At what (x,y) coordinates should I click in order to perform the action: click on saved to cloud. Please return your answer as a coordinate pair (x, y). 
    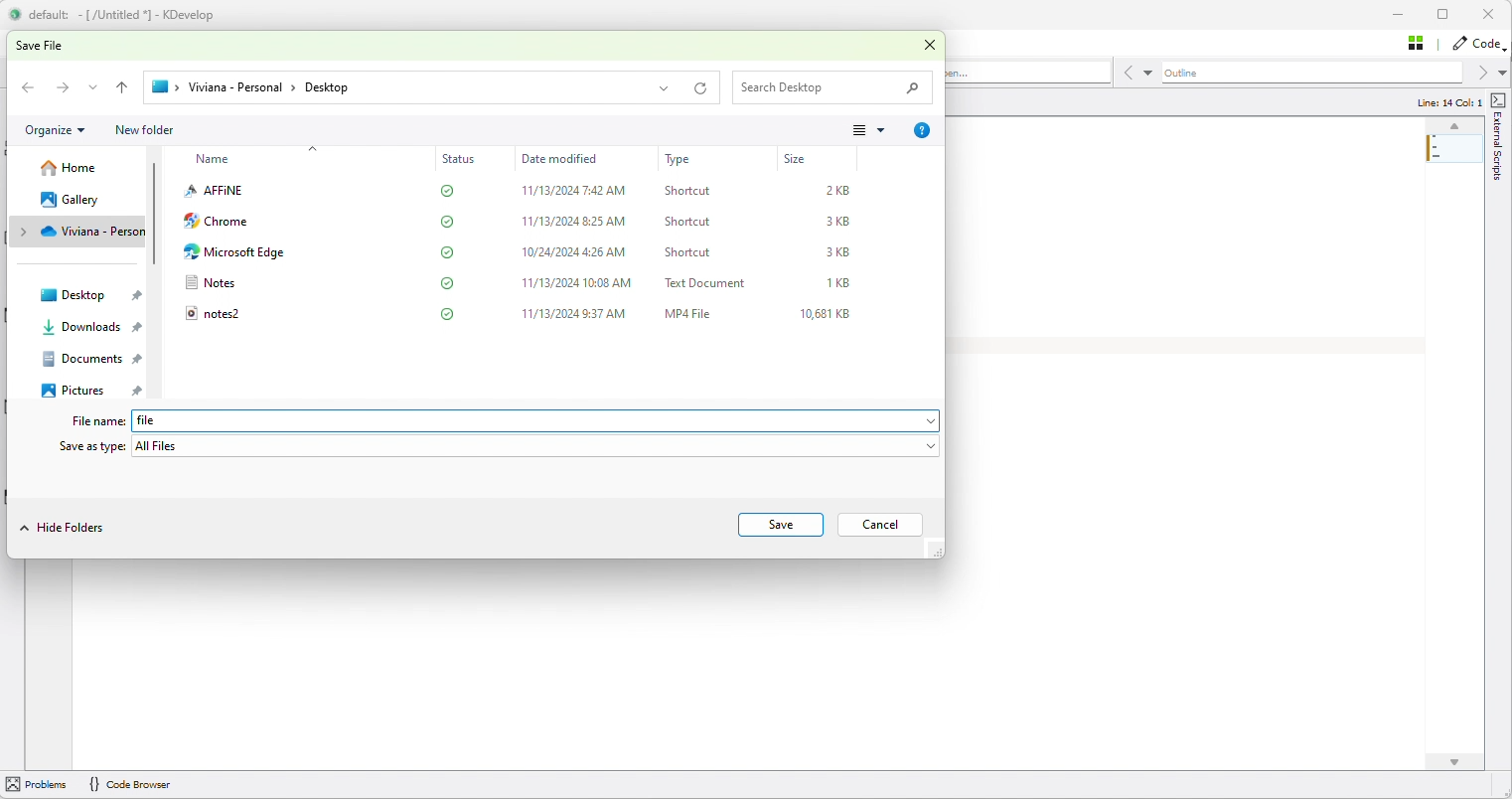
    Looking at the image, I should click on (447, 282).